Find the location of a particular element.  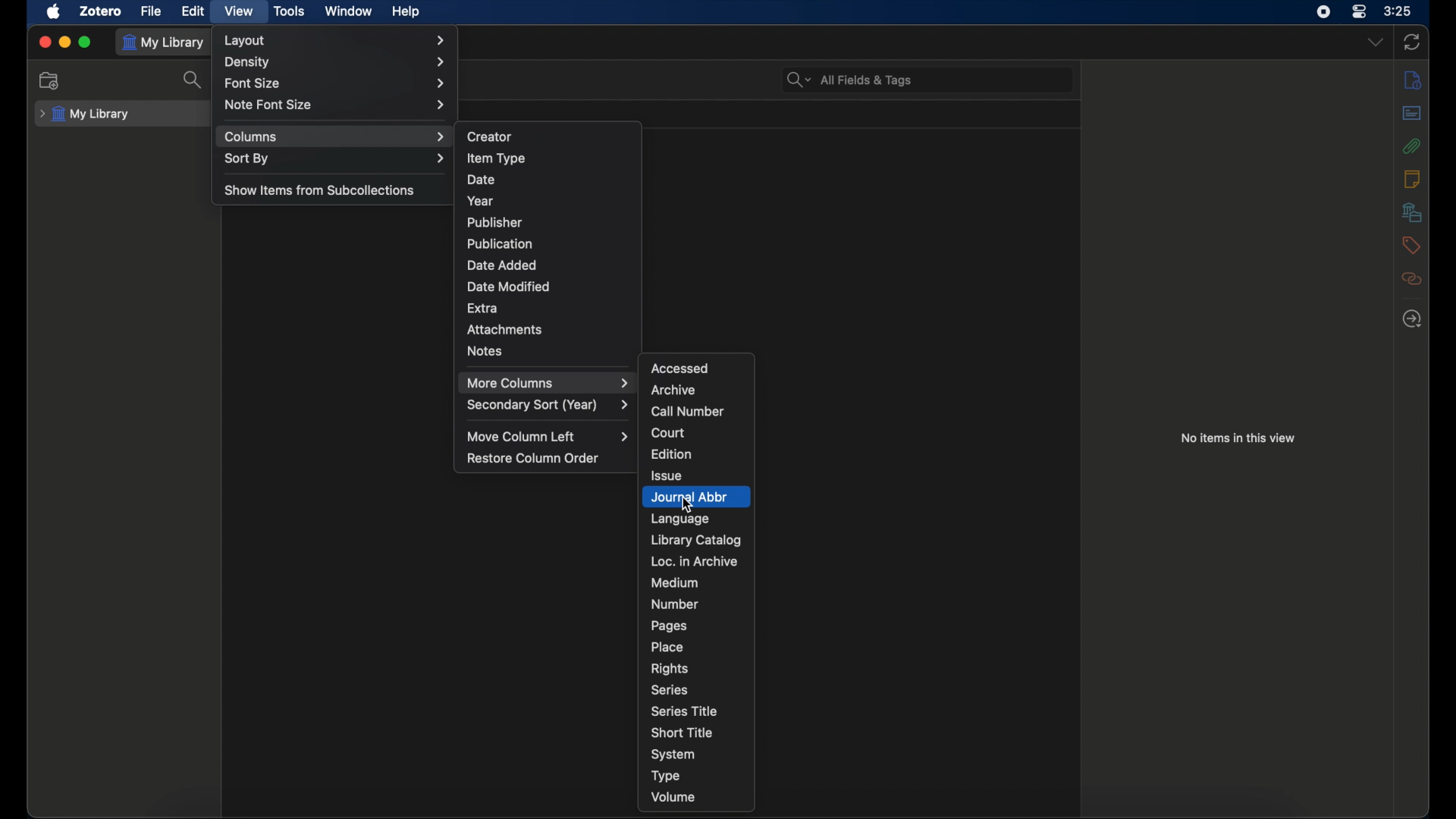

pages is located at coordinates (670, 626).